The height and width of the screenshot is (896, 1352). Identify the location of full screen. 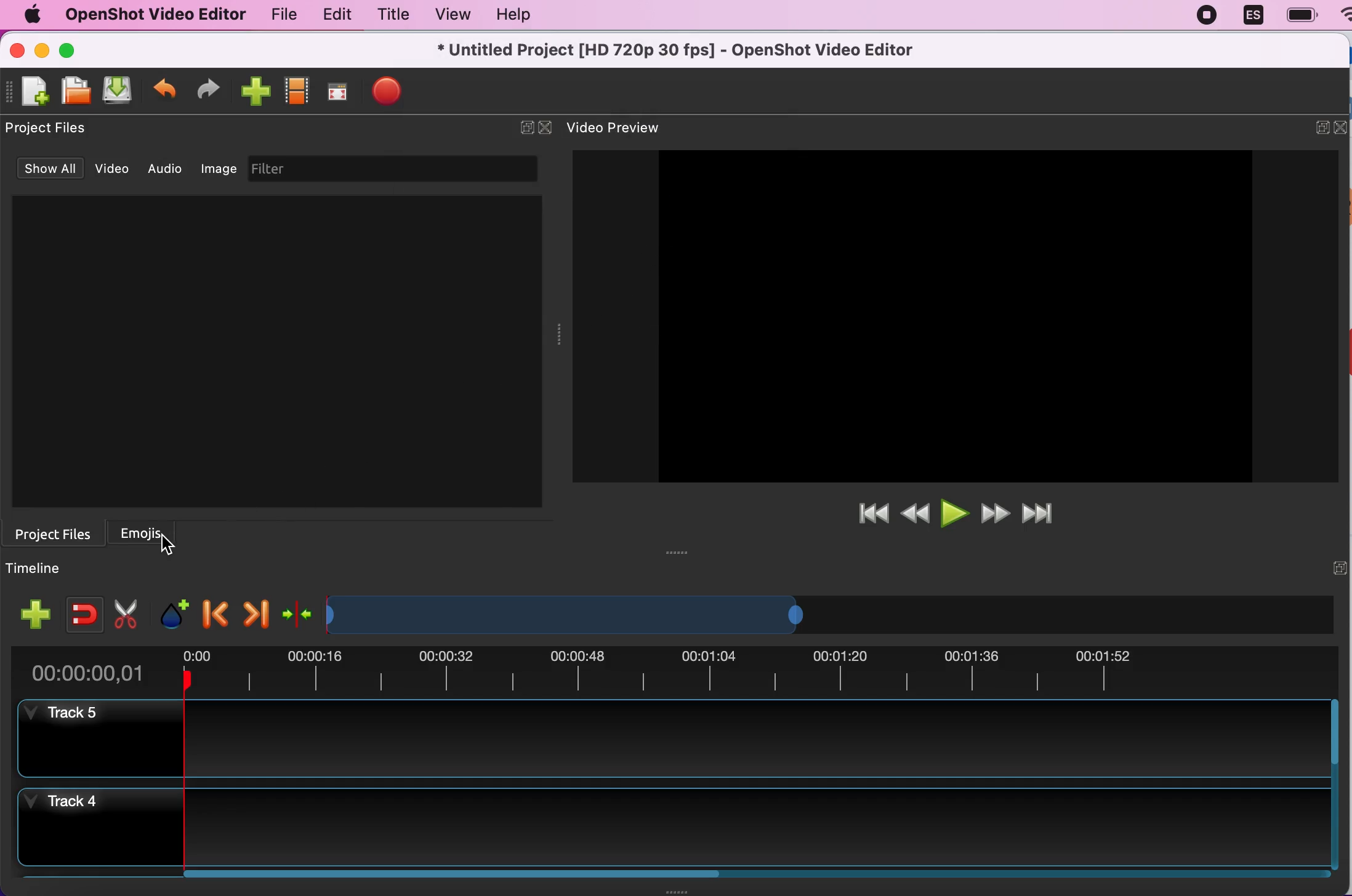
(337, 93).